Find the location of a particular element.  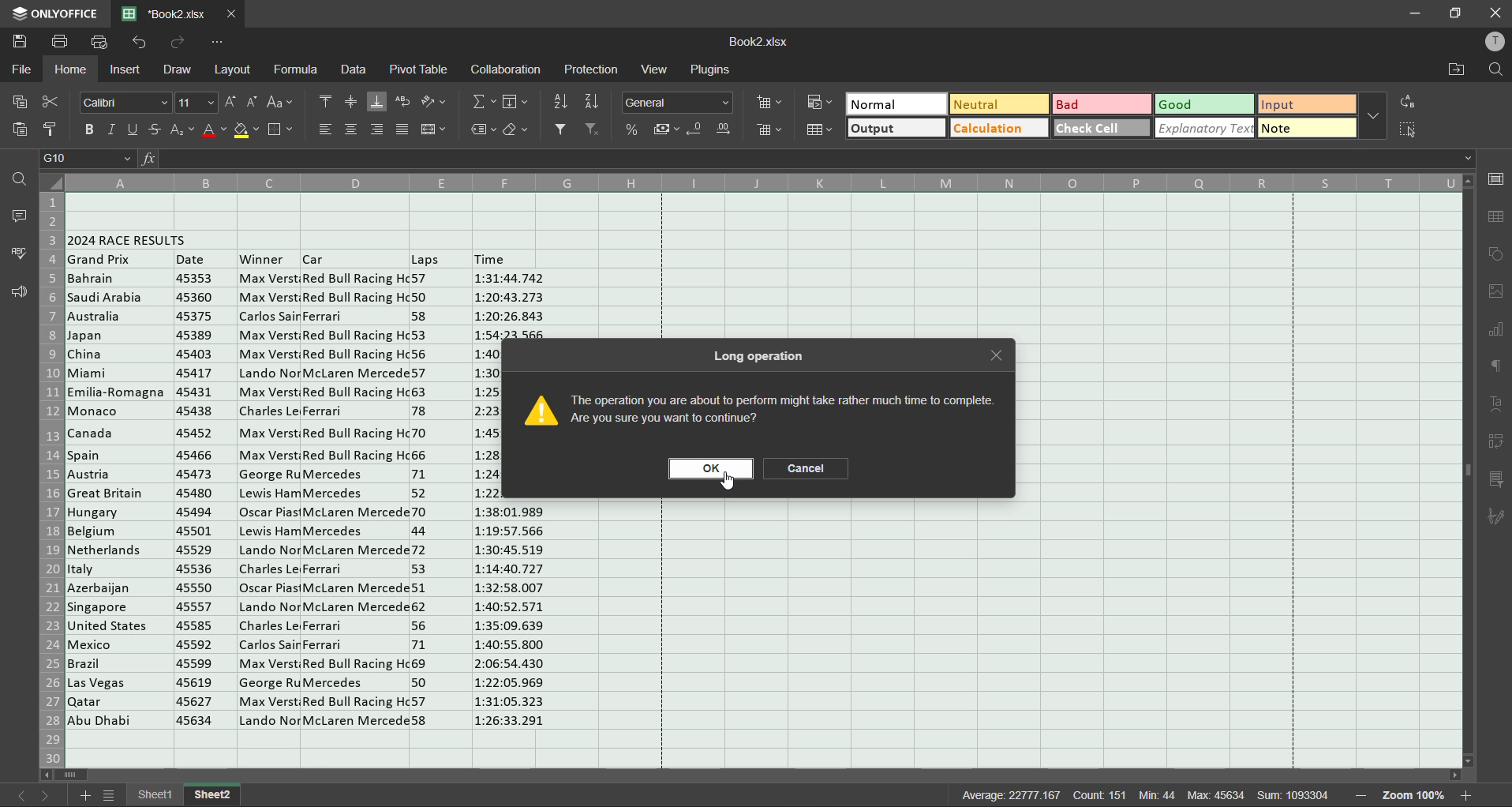

column names is located at coordinates (770, 182).